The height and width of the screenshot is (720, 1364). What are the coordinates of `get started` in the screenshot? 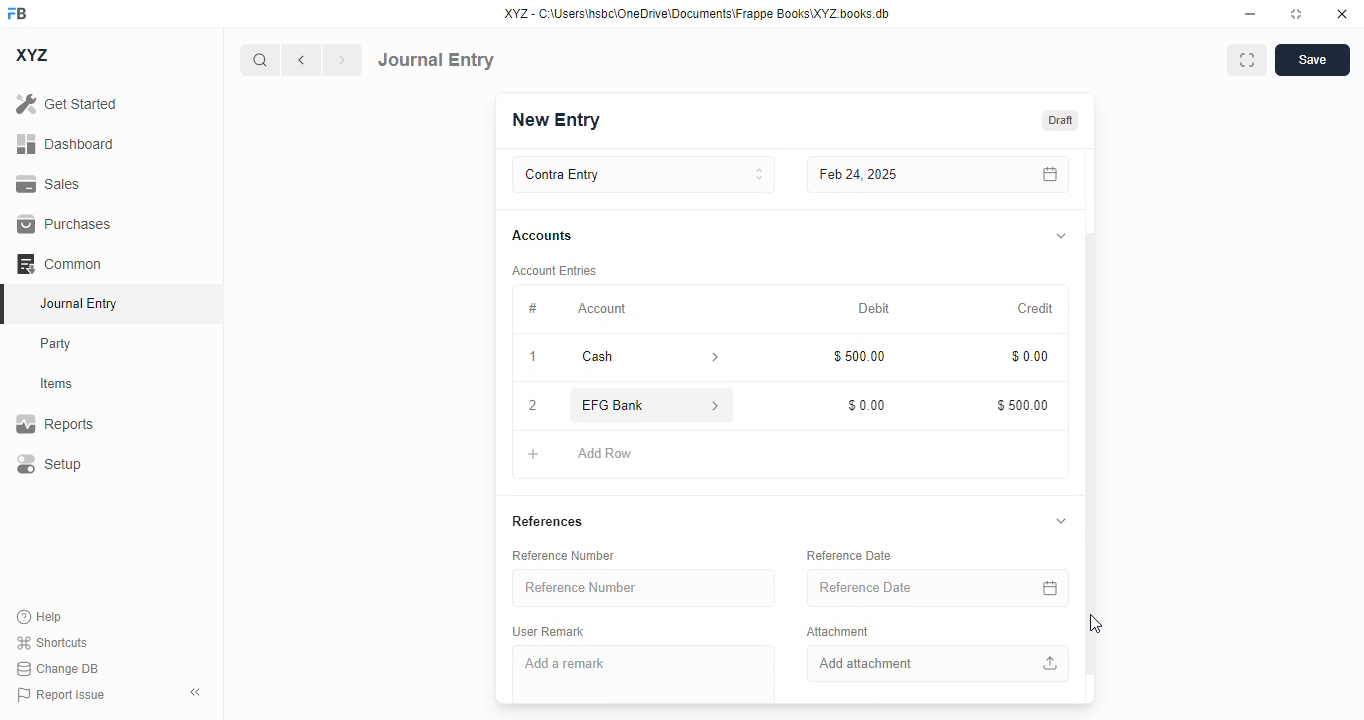 It's located at (67, 104).